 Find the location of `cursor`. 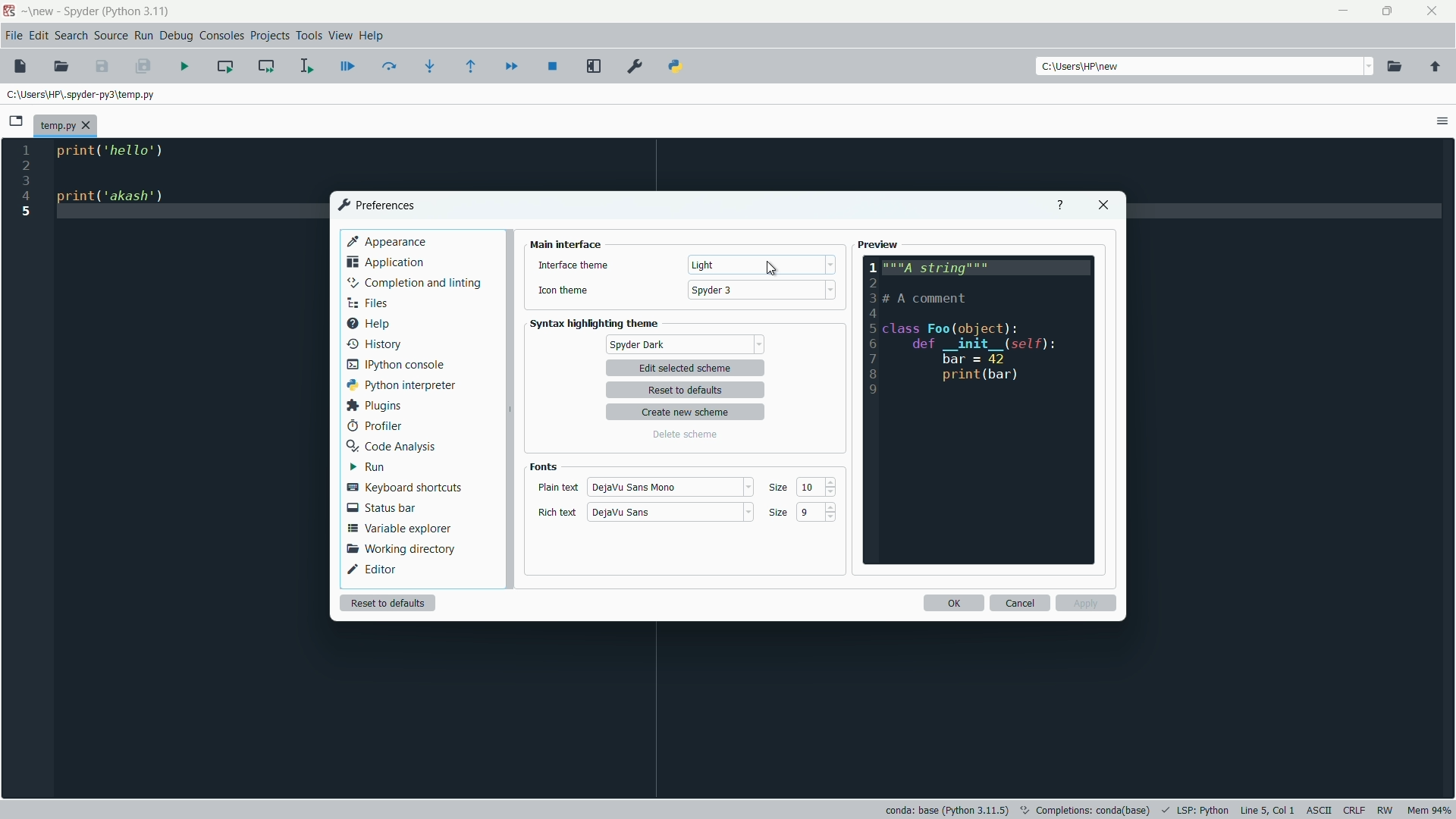

cursor is located at coordinates (769, 266).